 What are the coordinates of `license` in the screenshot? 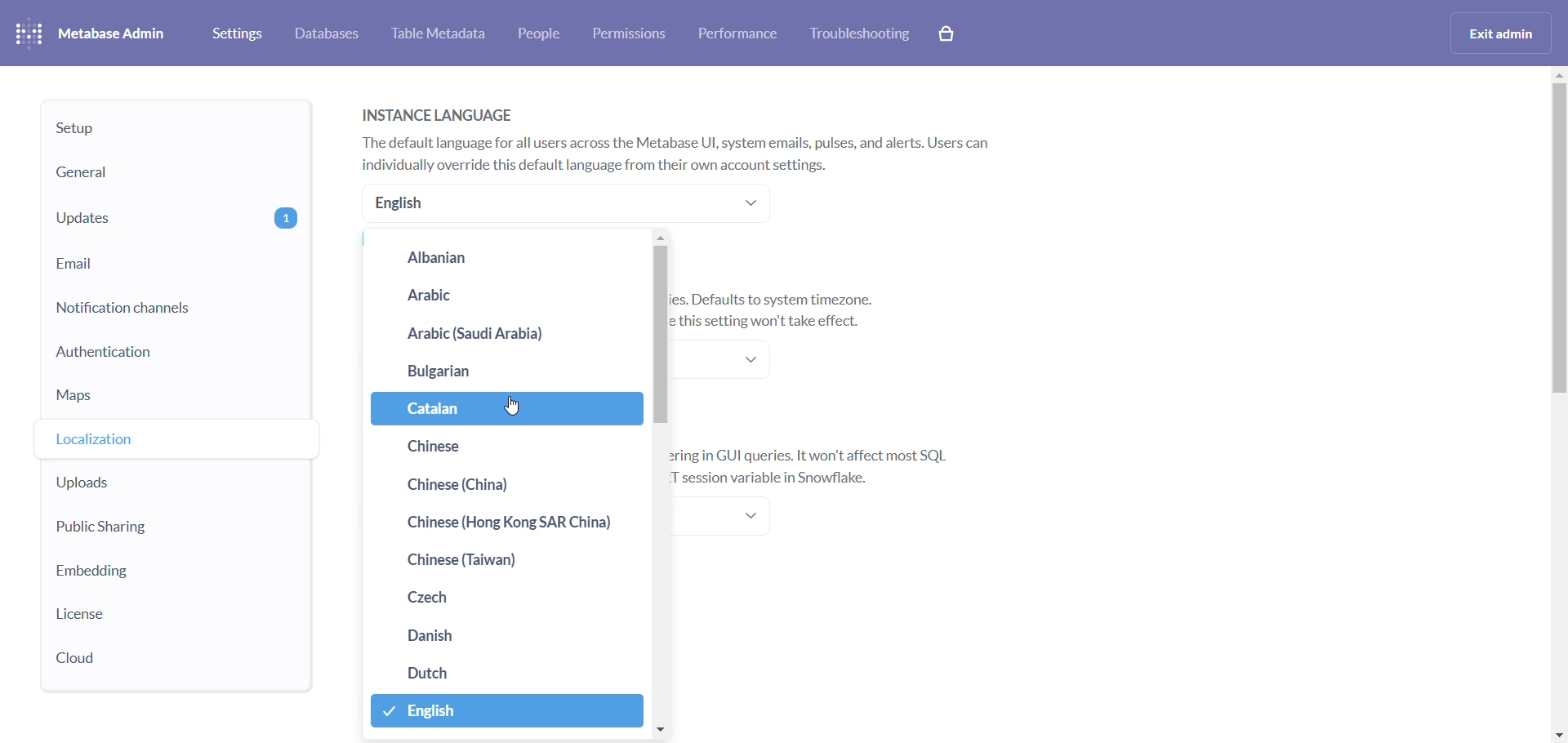 It's located at (160, 615).